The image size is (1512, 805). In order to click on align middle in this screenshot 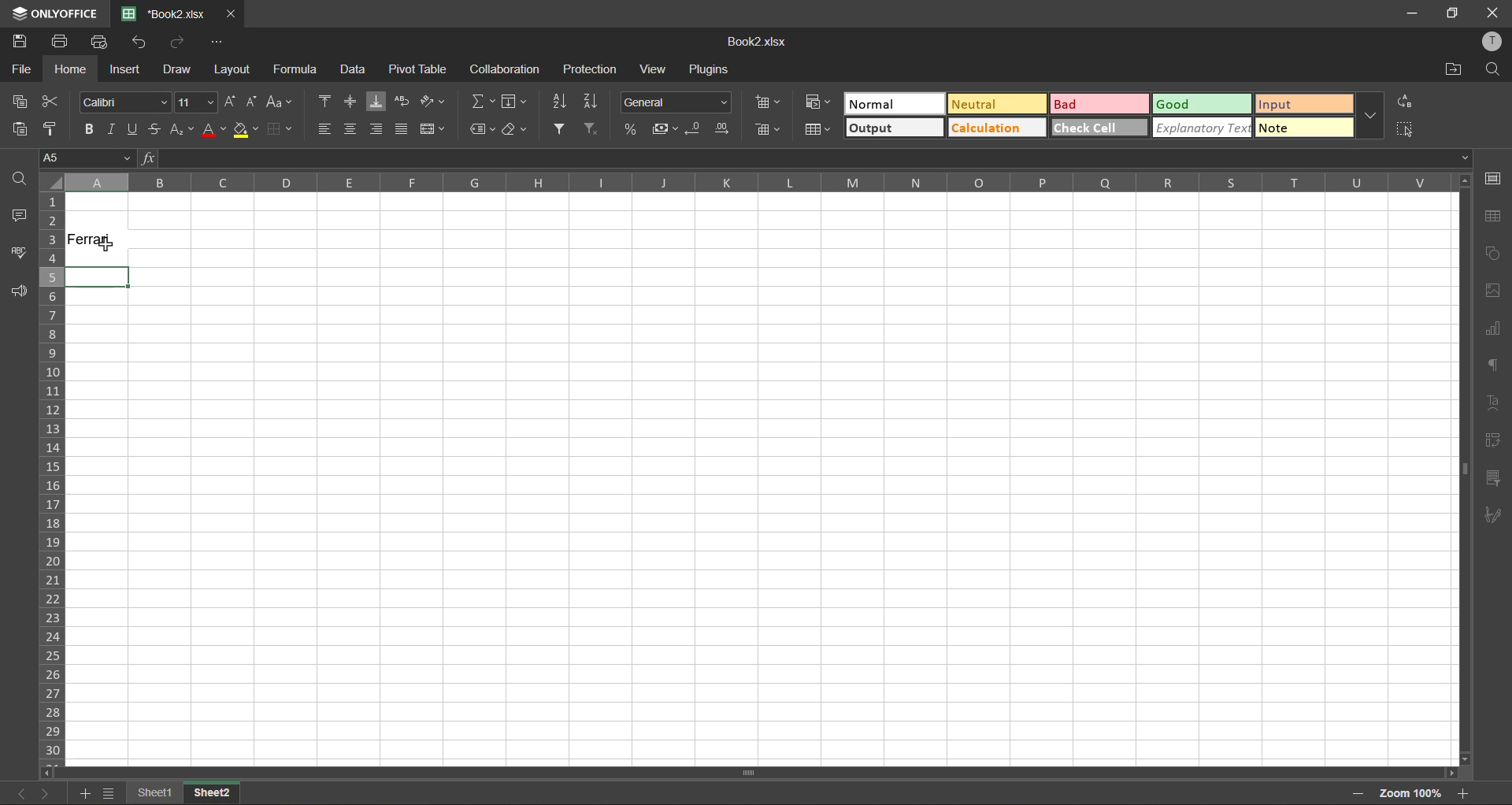, I will do `click(350, 102)`.